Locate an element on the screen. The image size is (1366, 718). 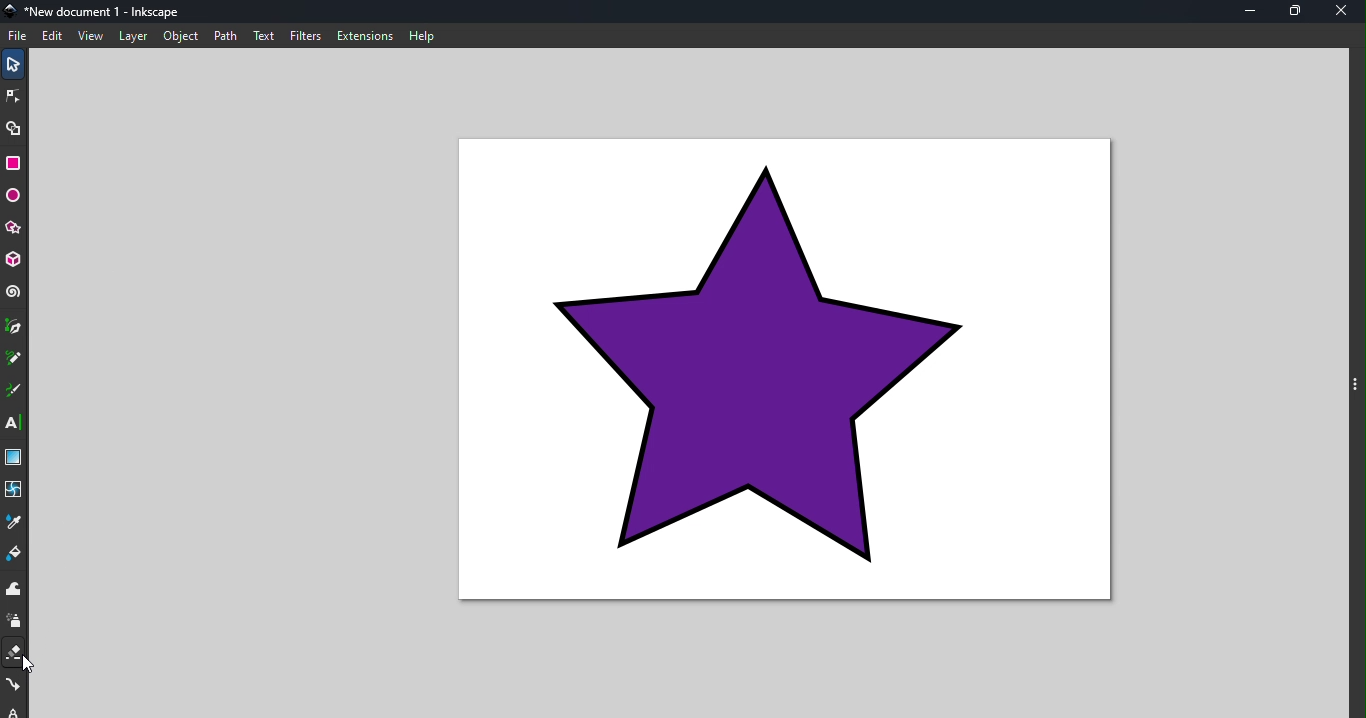
spray tool is located at coordinates (15, 623).